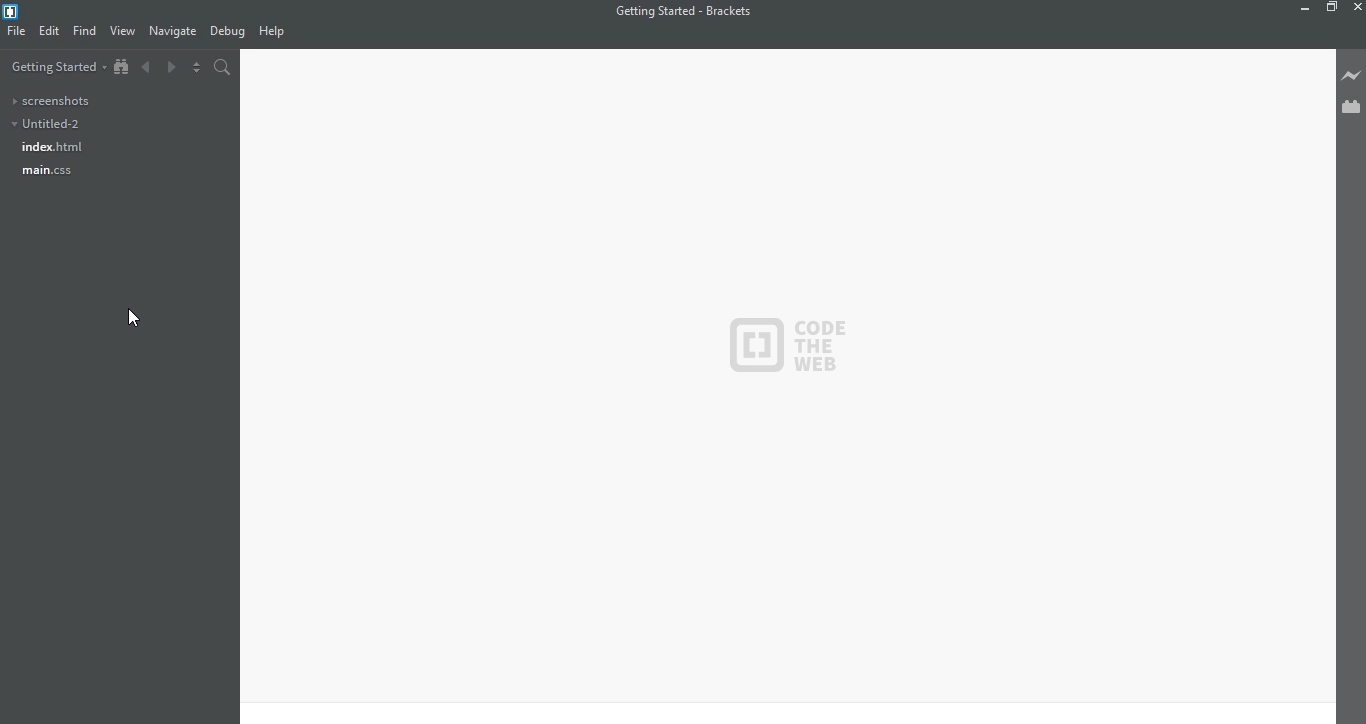 The width and height of the screenshot is (1366, 724). What do you see at coordinates (222, 67) in the screenshot?
I see `search` at bounding box center [222, 67].